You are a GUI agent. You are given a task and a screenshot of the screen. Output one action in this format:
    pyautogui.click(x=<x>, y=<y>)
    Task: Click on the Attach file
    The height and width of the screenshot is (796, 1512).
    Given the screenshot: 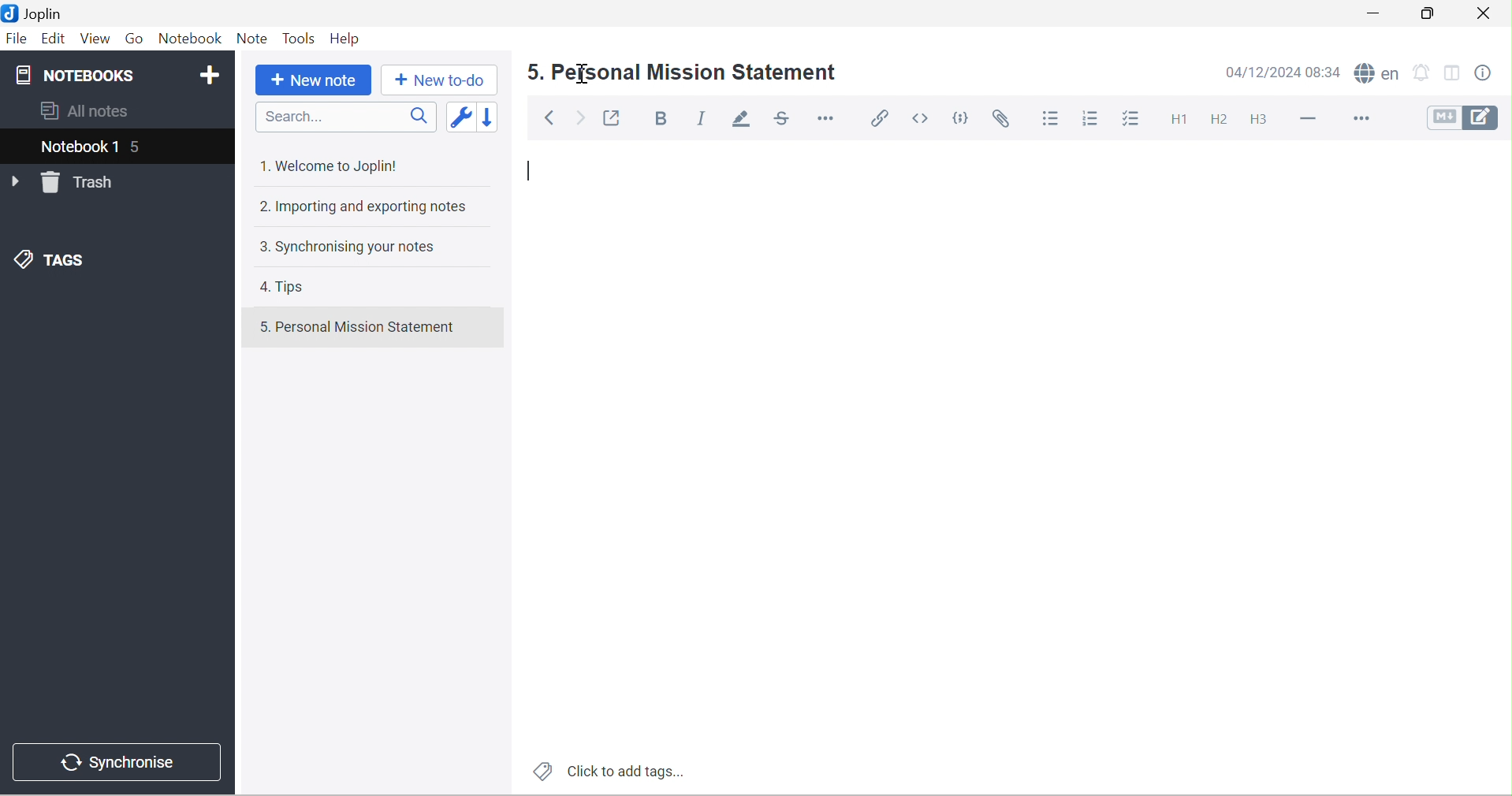 What is the action you would take?
    pyautogui.click(x=1005, y=120)
    